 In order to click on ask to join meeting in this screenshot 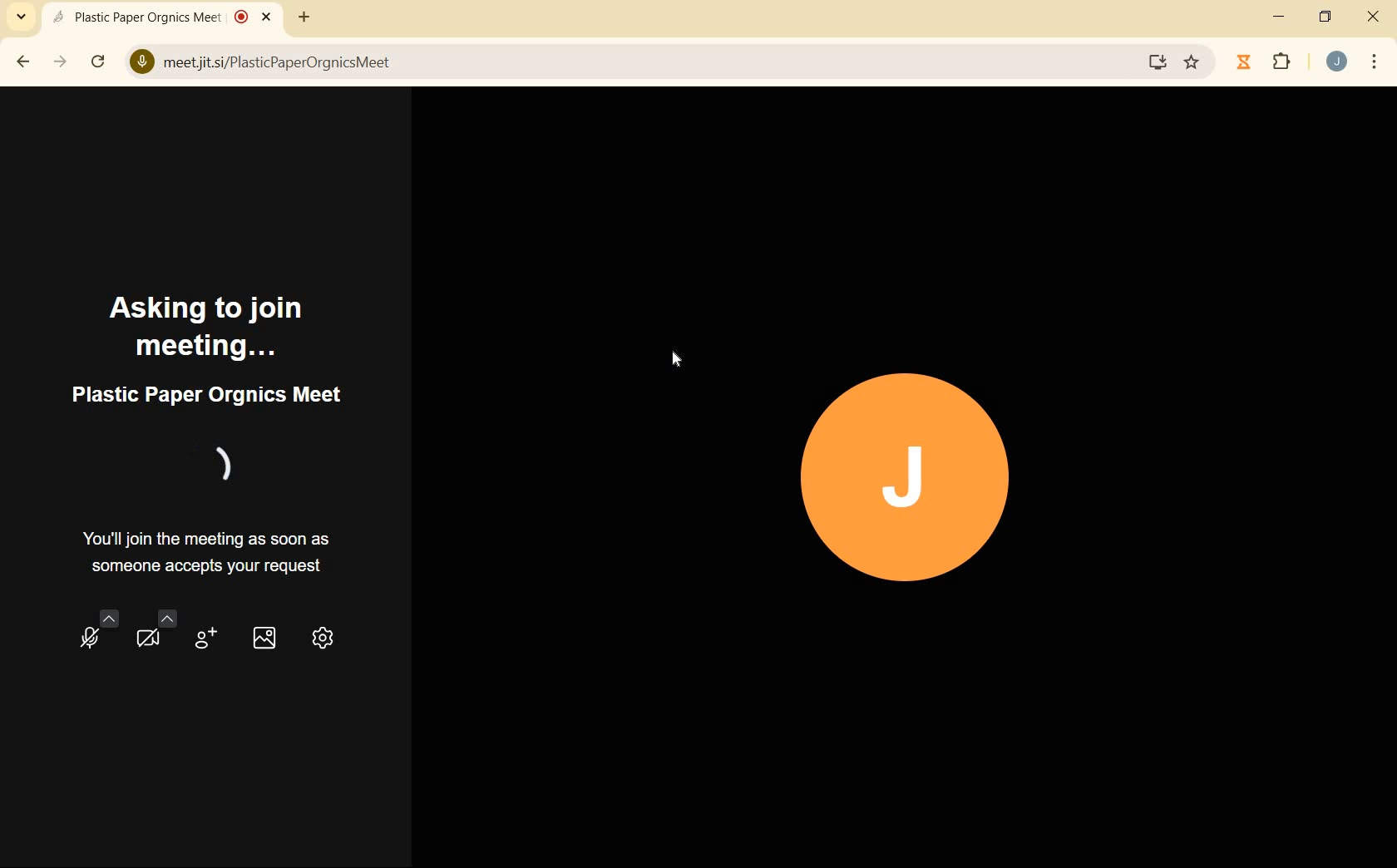, I will do `click(206, 323)`.